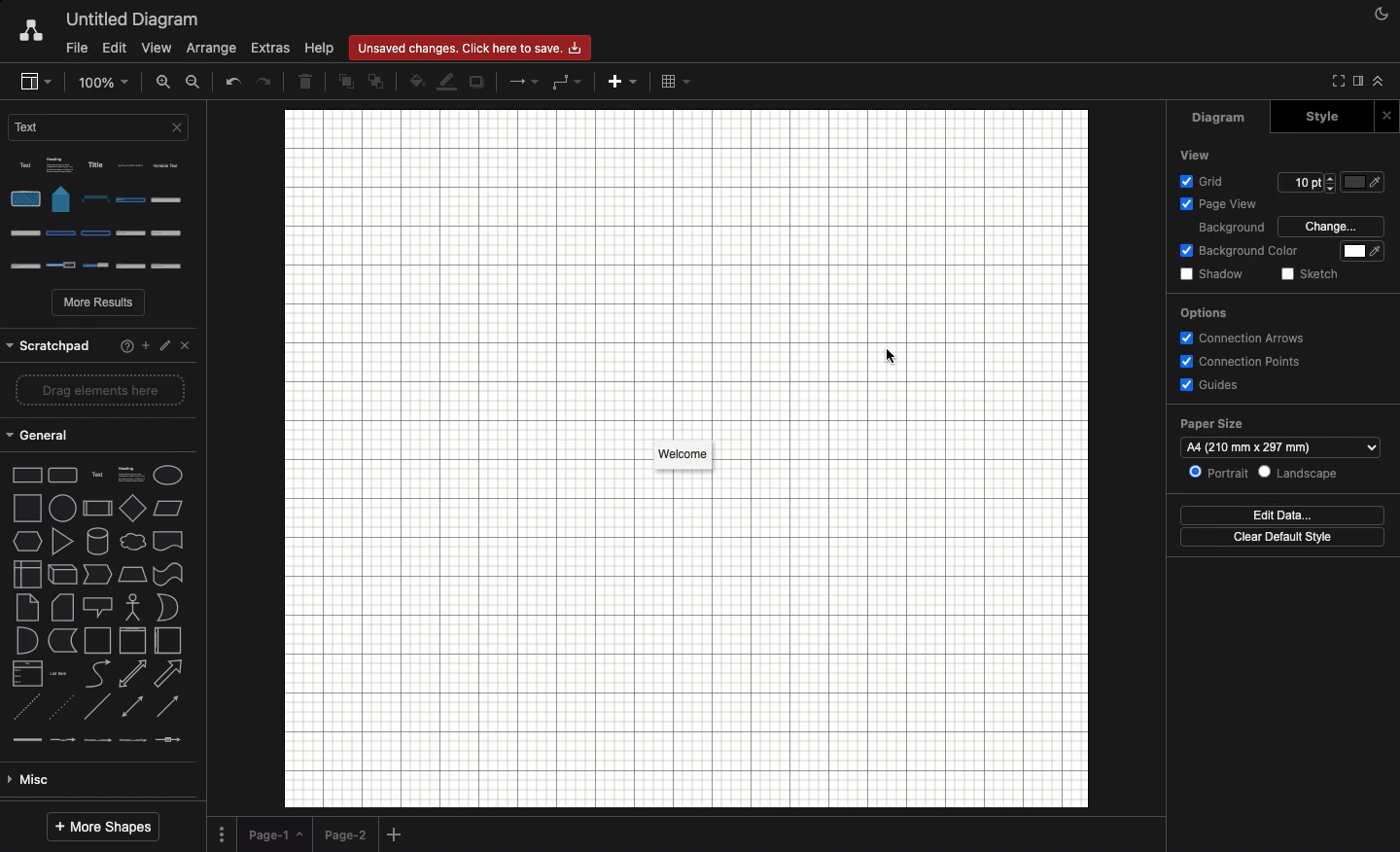 Image resolution: width=1400 pixels, height=852 pixels. I want to click on File, so click(74, 49).